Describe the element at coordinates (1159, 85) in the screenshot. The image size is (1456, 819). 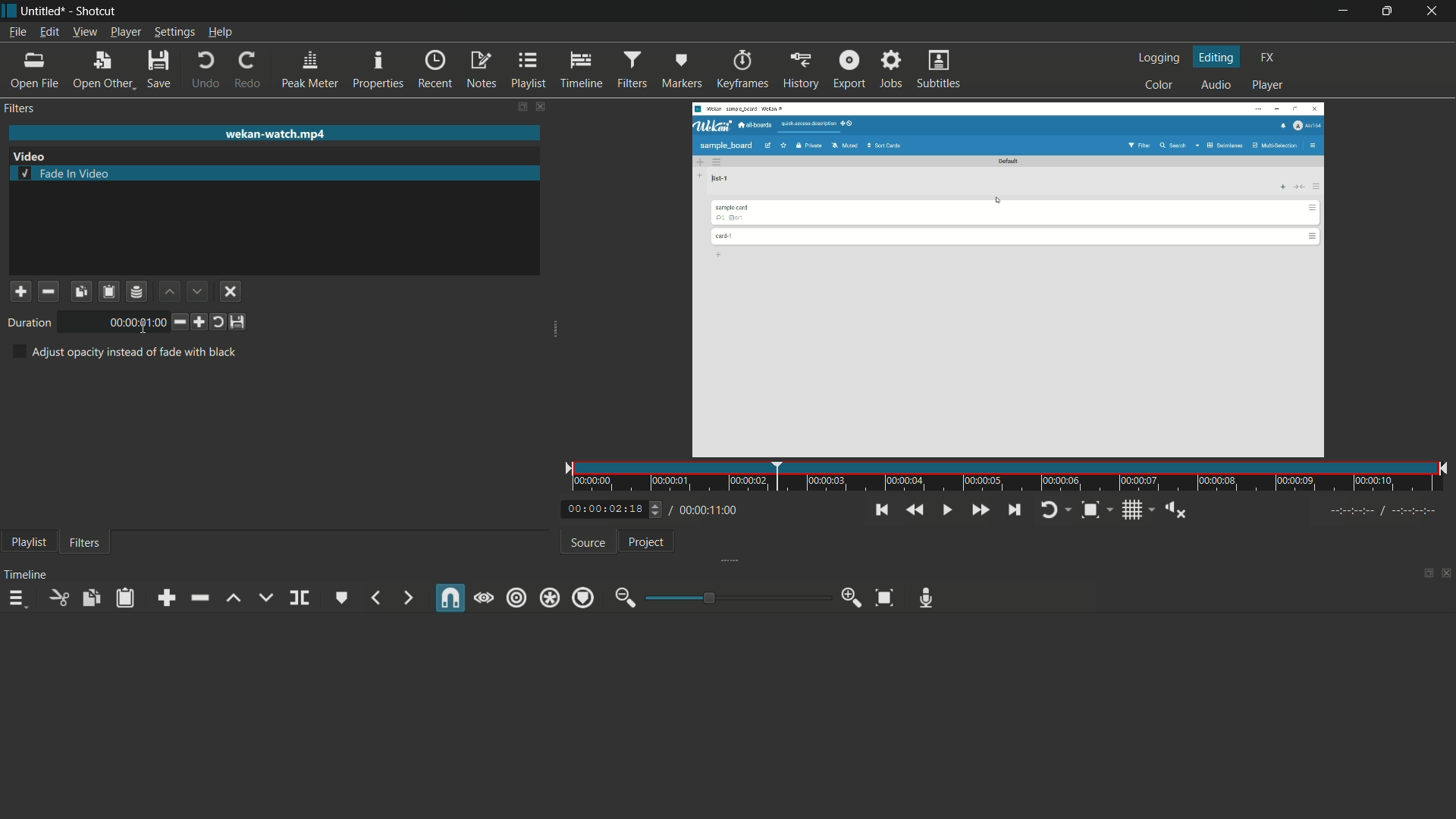
I see `color` at that location.